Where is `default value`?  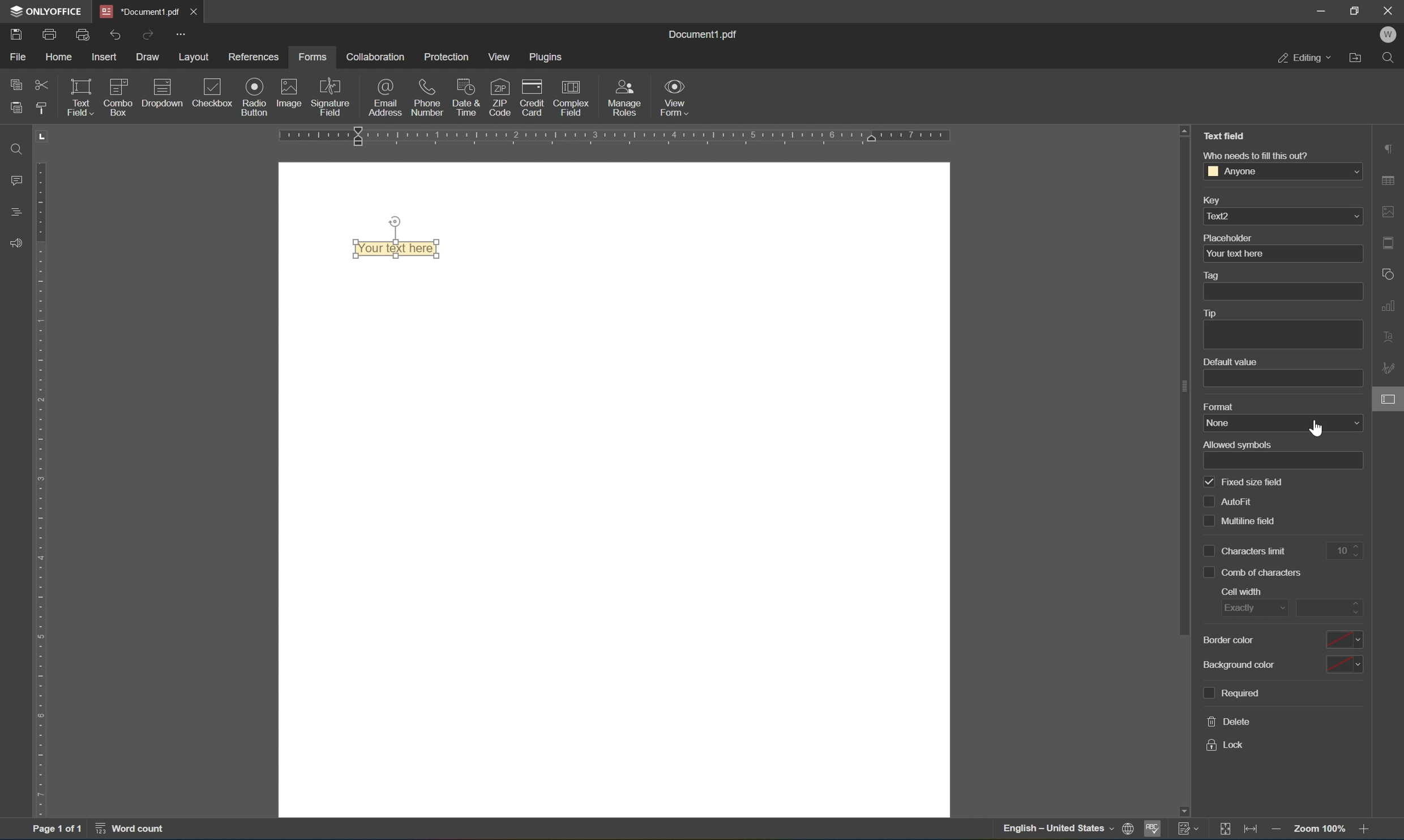 default value is located at coordinates (1233, 362).